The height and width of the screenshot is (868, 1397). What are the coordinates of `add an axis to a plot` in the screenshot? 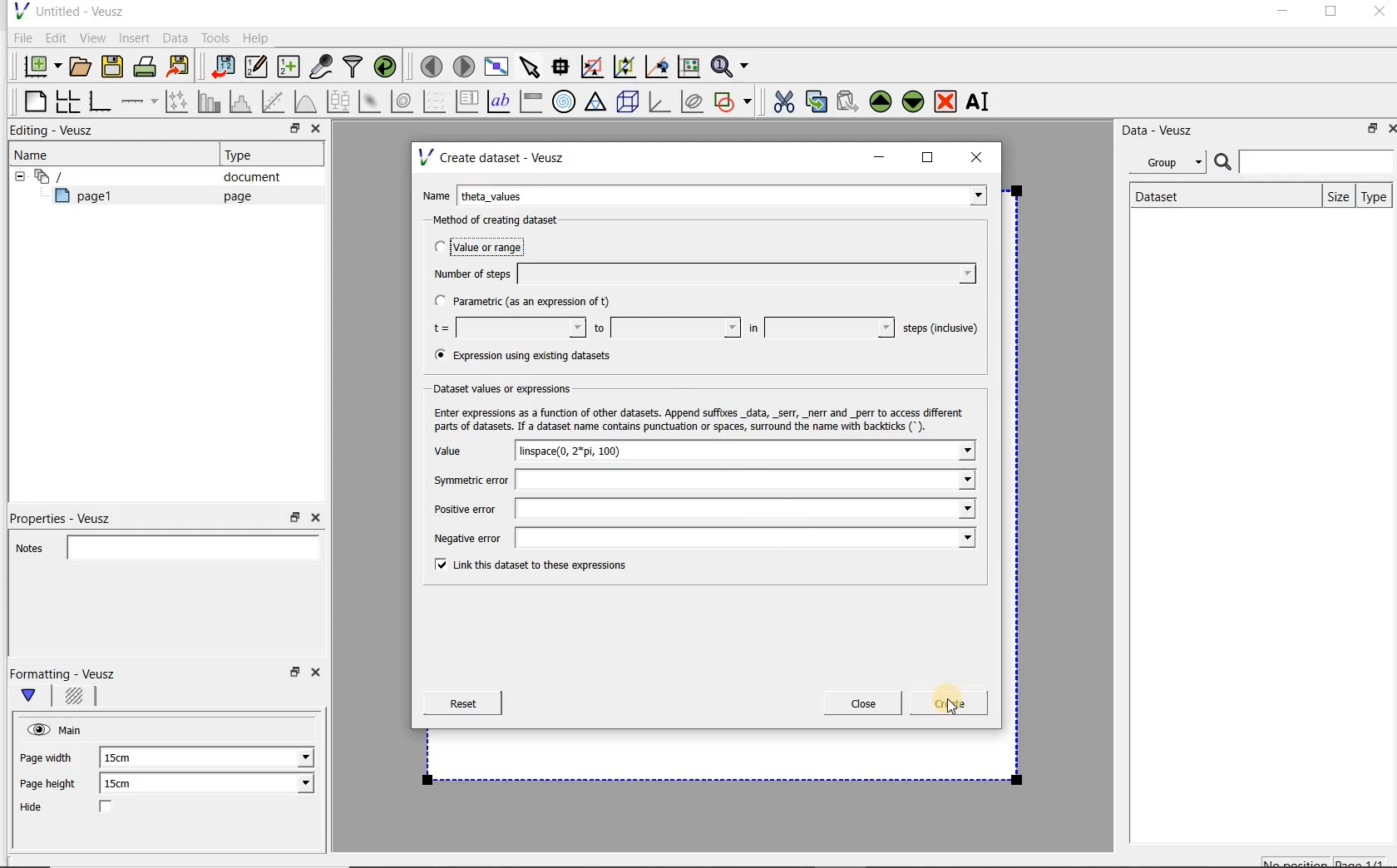 It's located at (141, 101).